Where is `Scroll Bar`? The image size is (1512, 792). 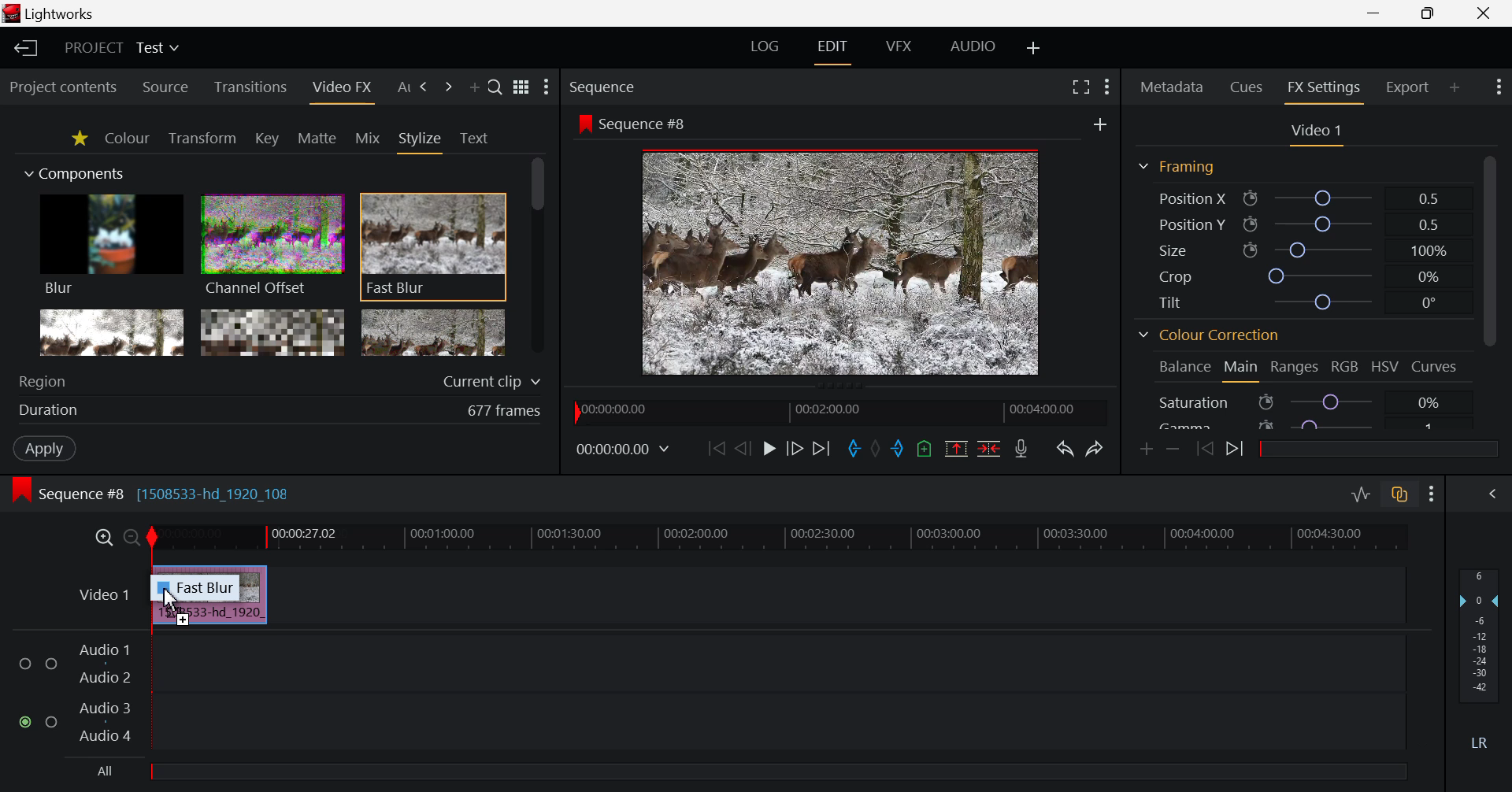 Scroll Bar is located at coordinates (1493, 291).